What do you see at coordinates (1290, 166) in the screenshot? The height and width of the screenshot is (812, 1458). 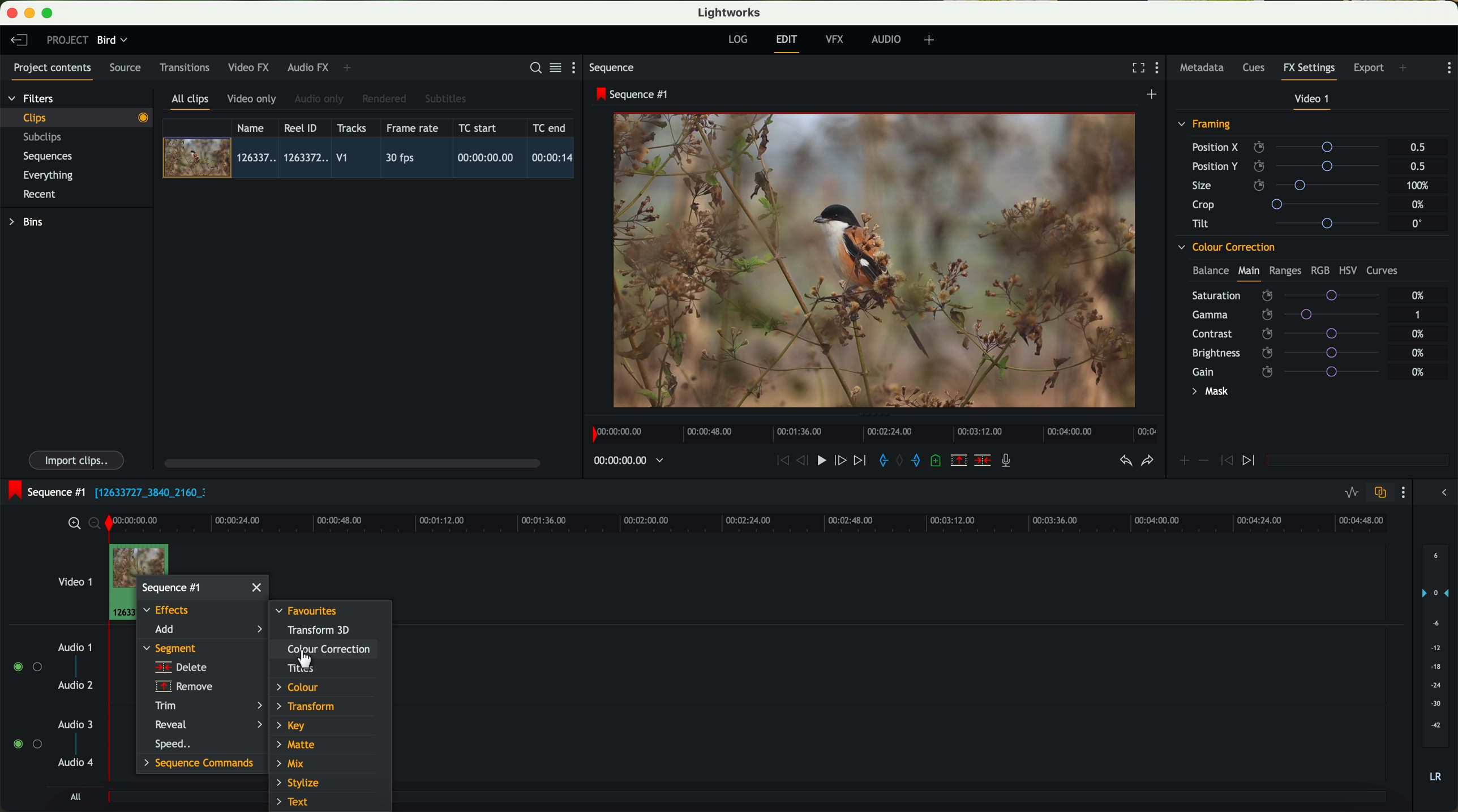 I see `position Y` at bounding box center [1290, 166].